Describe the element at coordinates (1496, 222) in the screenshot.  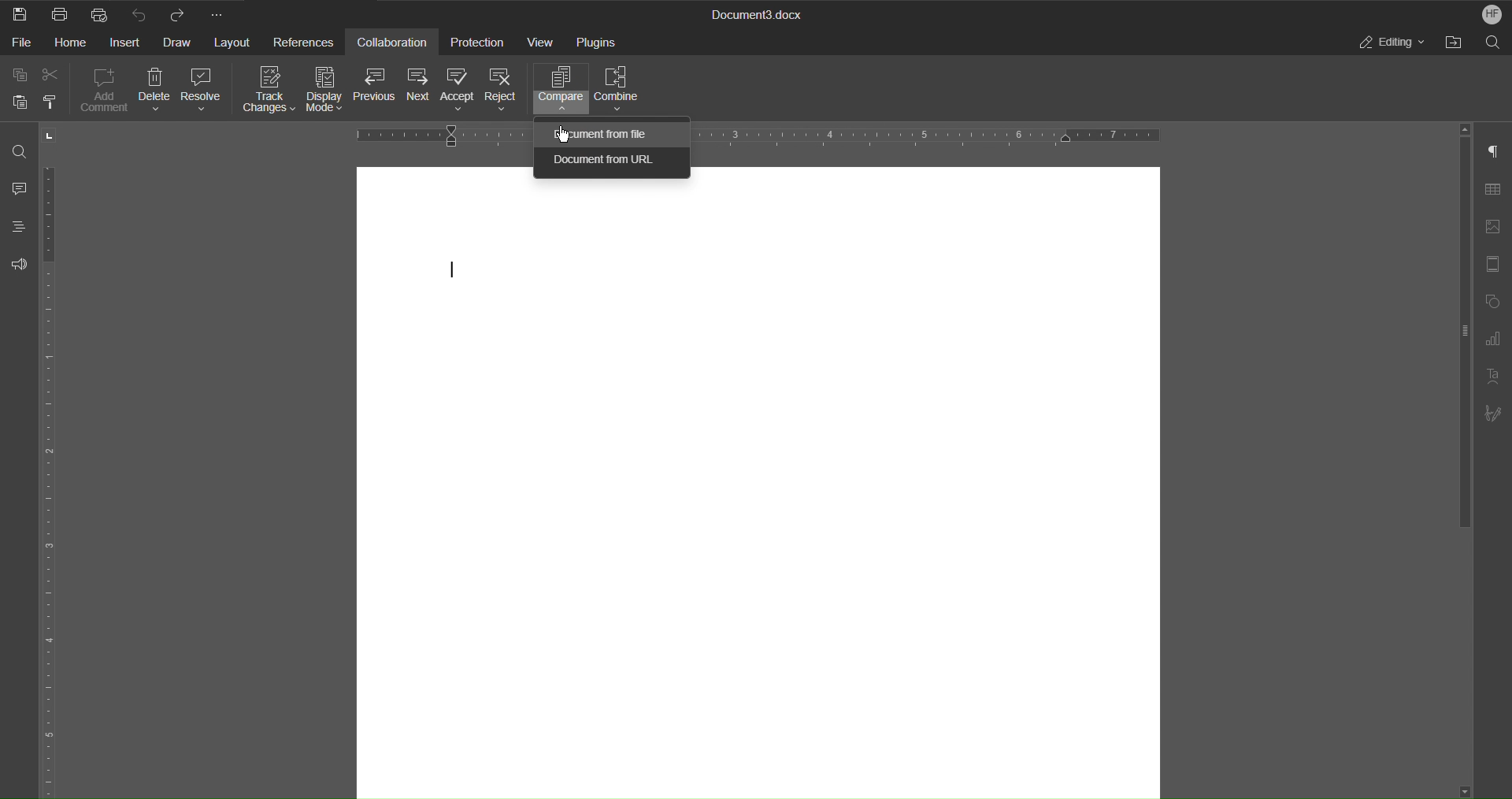
I see `Image Settings` at that location.